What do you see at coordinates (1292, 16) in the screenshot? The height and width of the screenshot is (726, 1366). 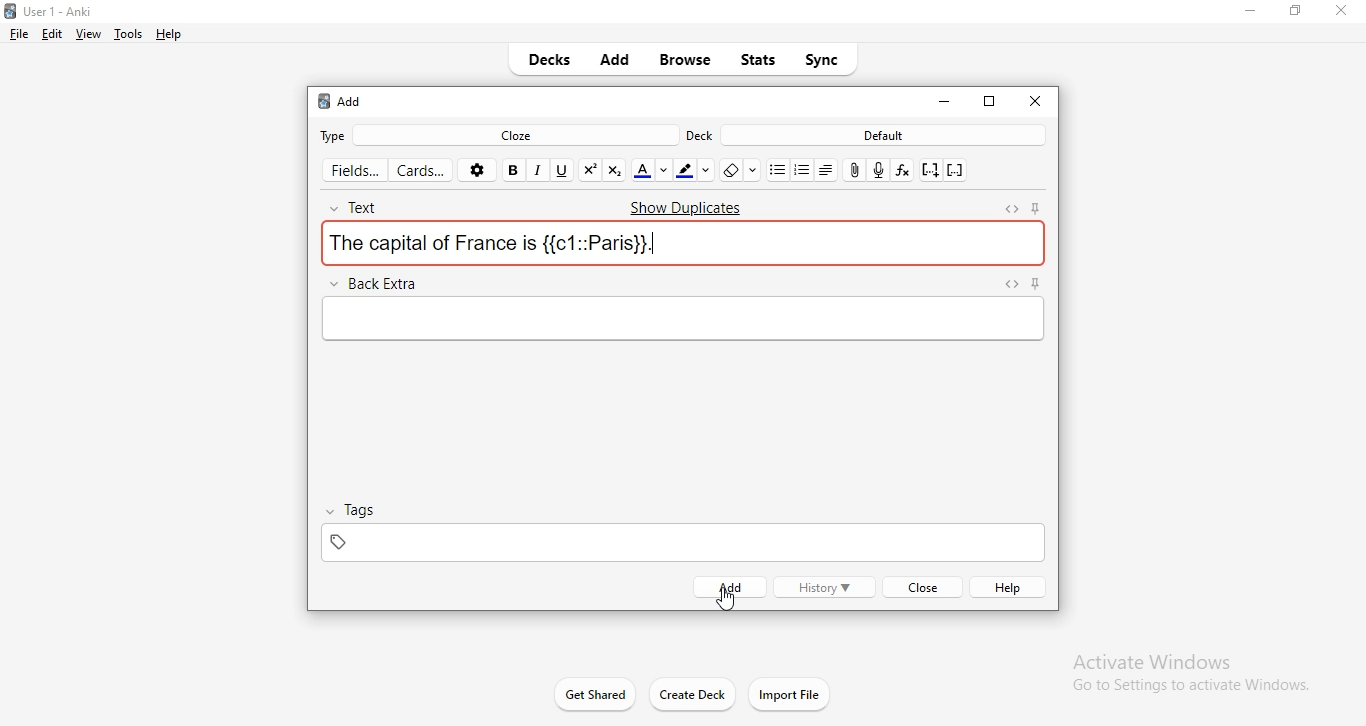 I see `restore` at bounding box center [1292, 16].